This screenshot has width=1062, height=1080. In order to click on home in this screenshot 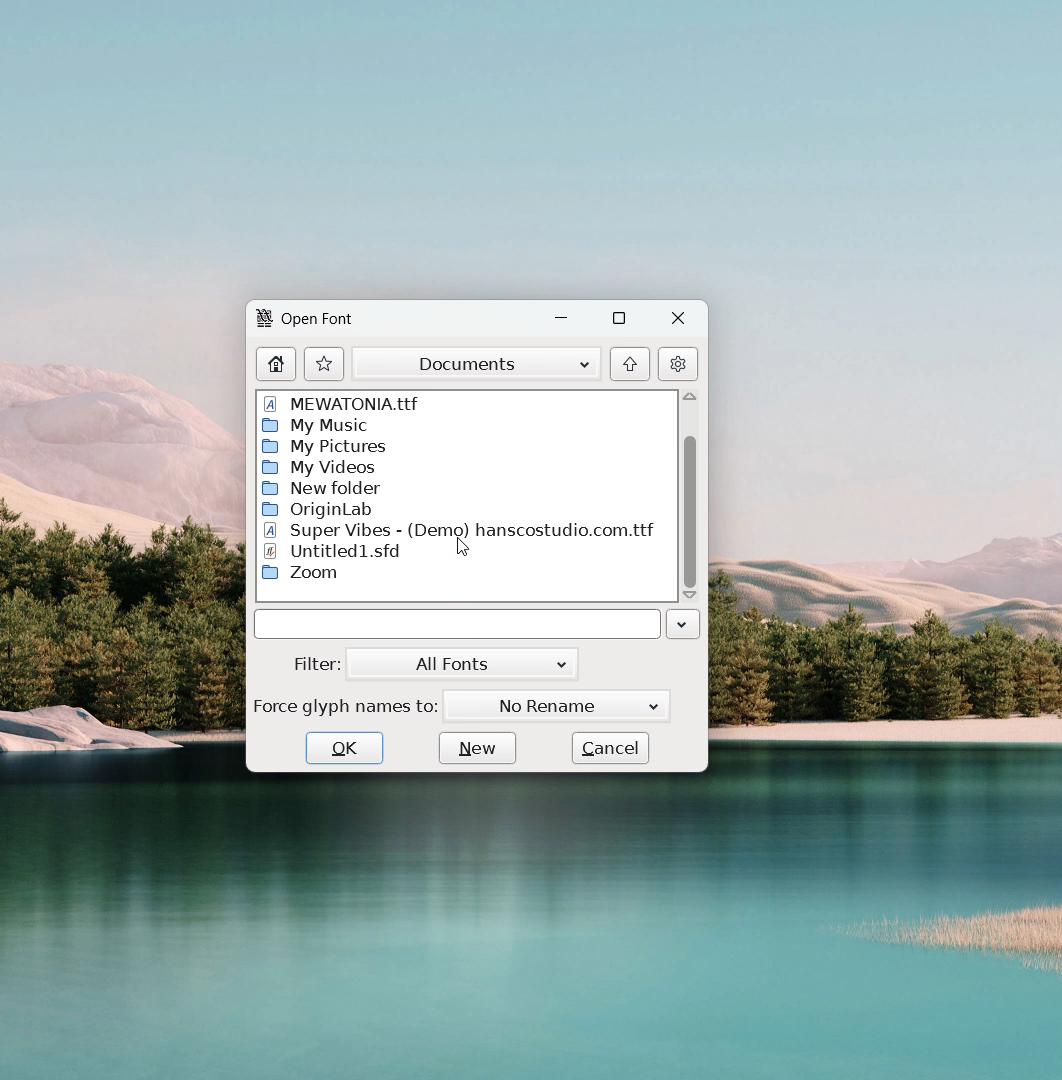, I will do `click(276, 365)`.